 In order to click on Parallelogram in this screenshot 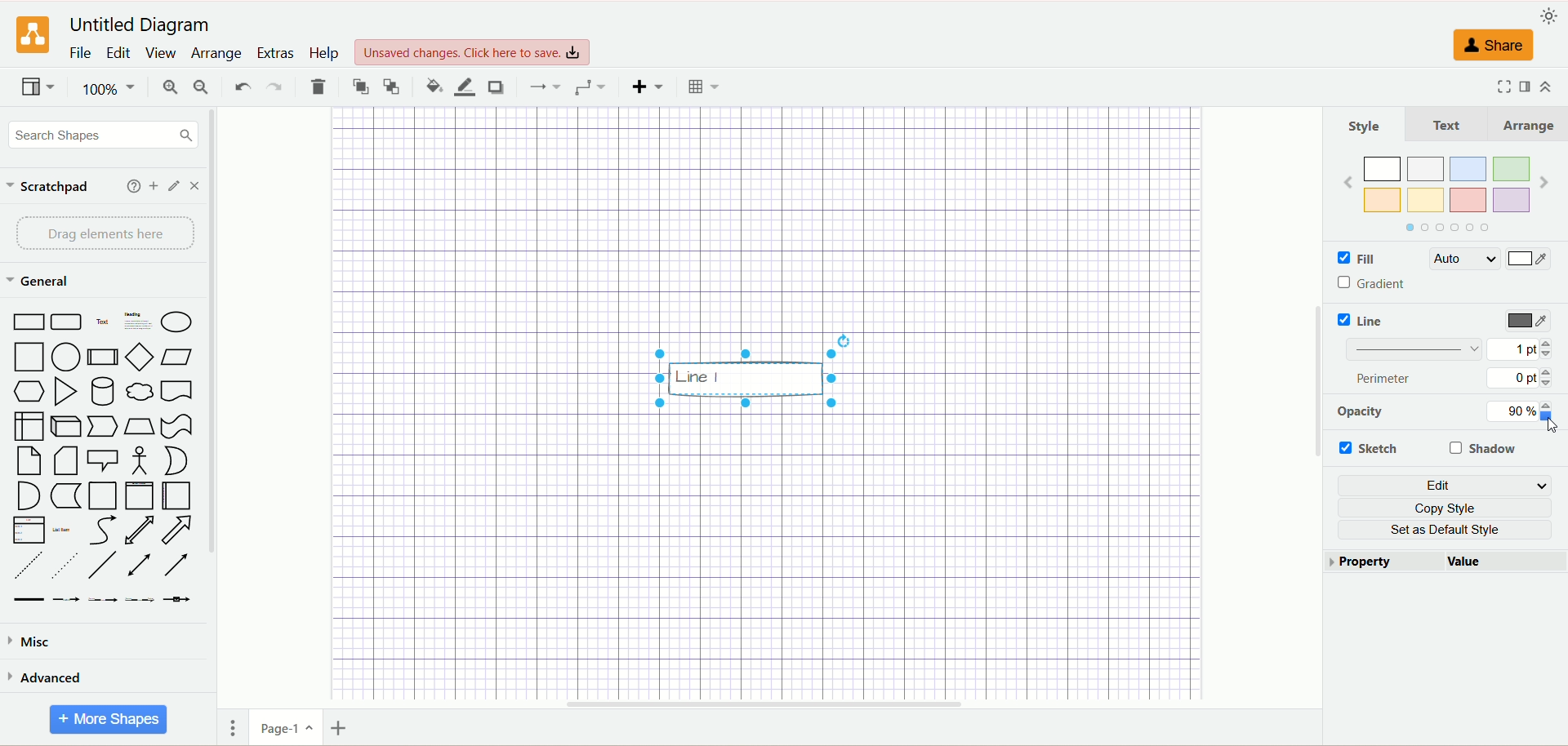, I will do `click(176, 357)`.